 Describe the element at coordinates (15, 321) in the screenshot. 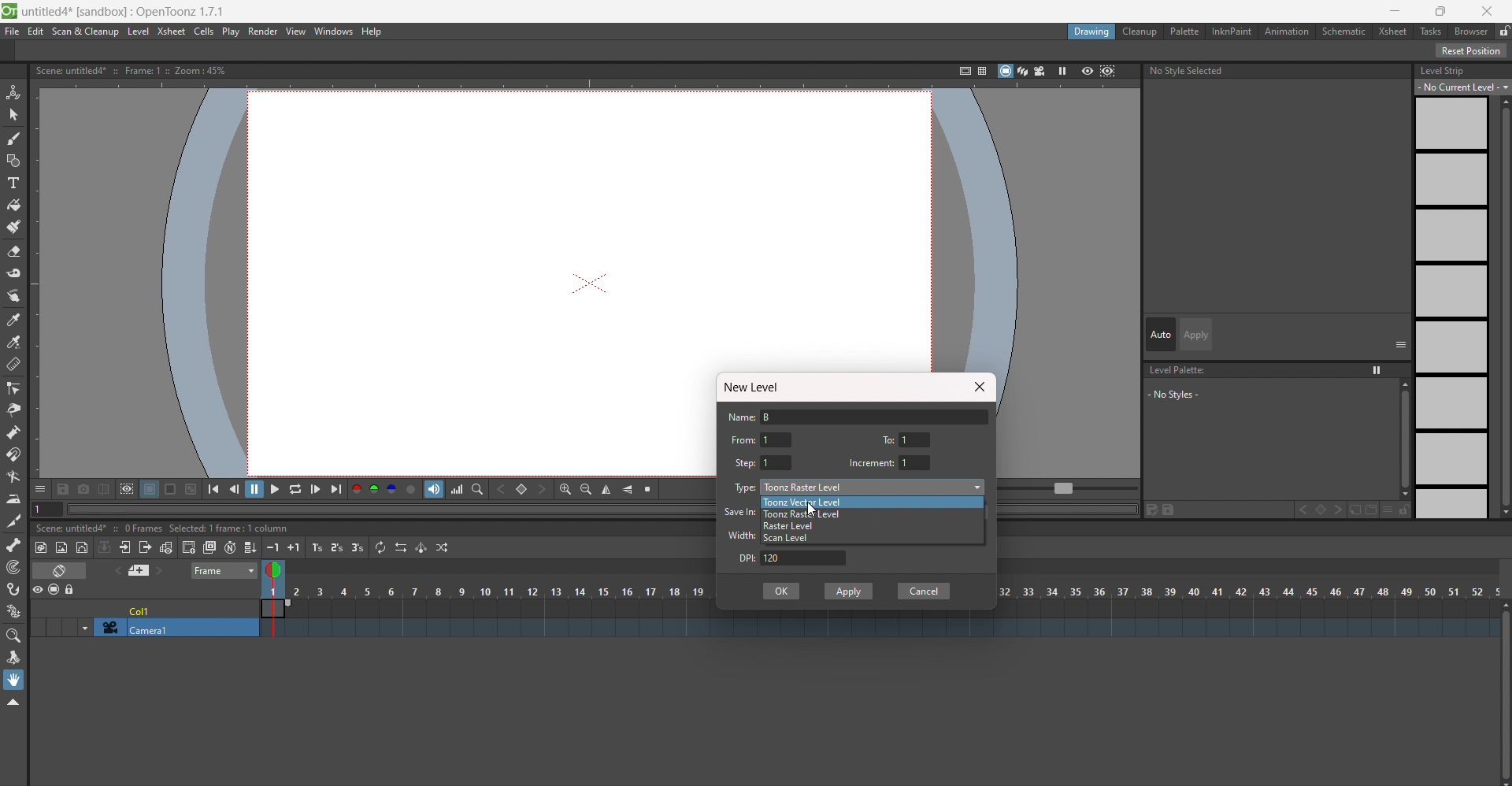

I see `style picker` at that location.